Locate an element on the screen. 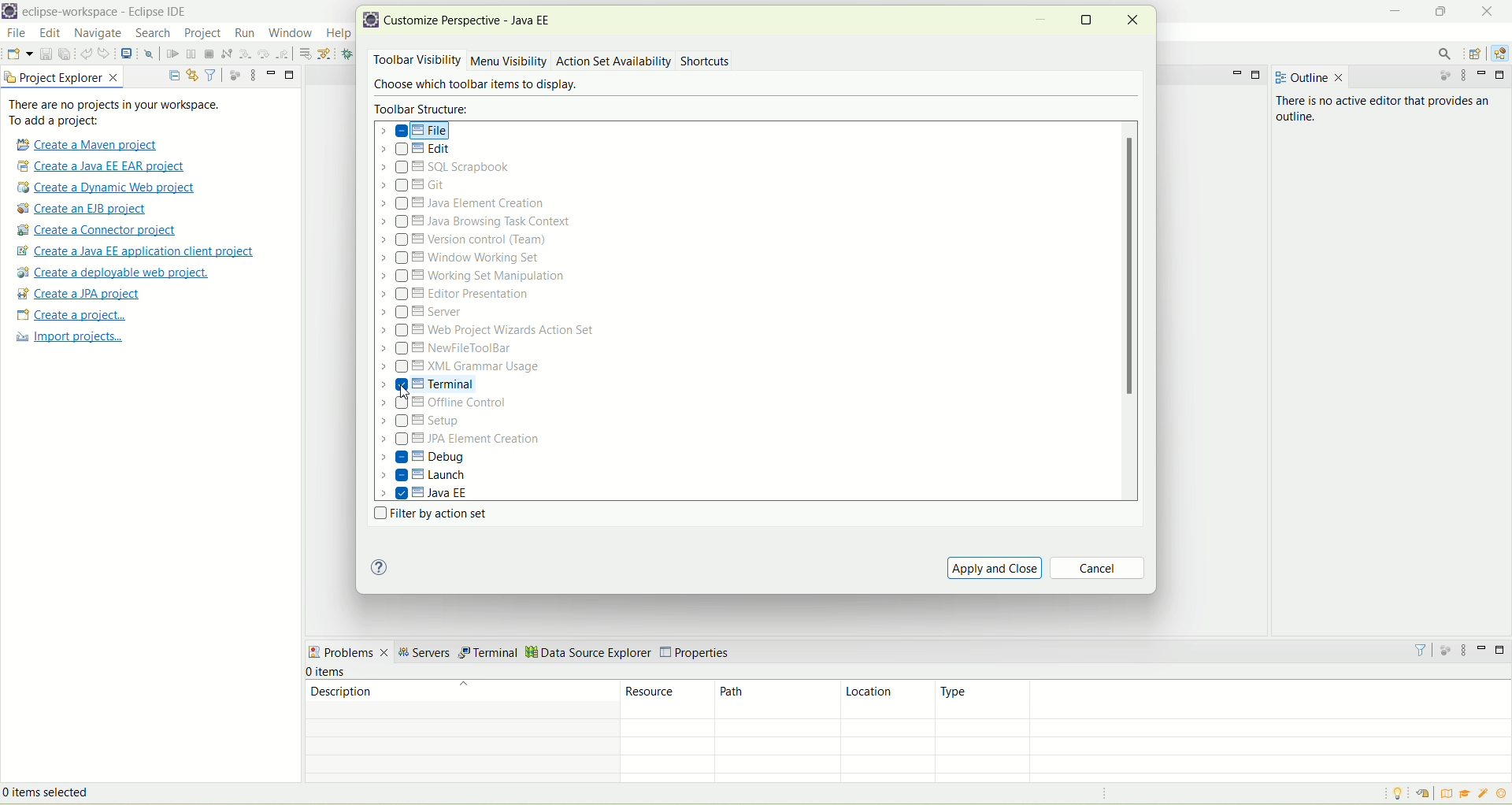 The image size is (1512, 805). edit is located at coordinates (51, 35).